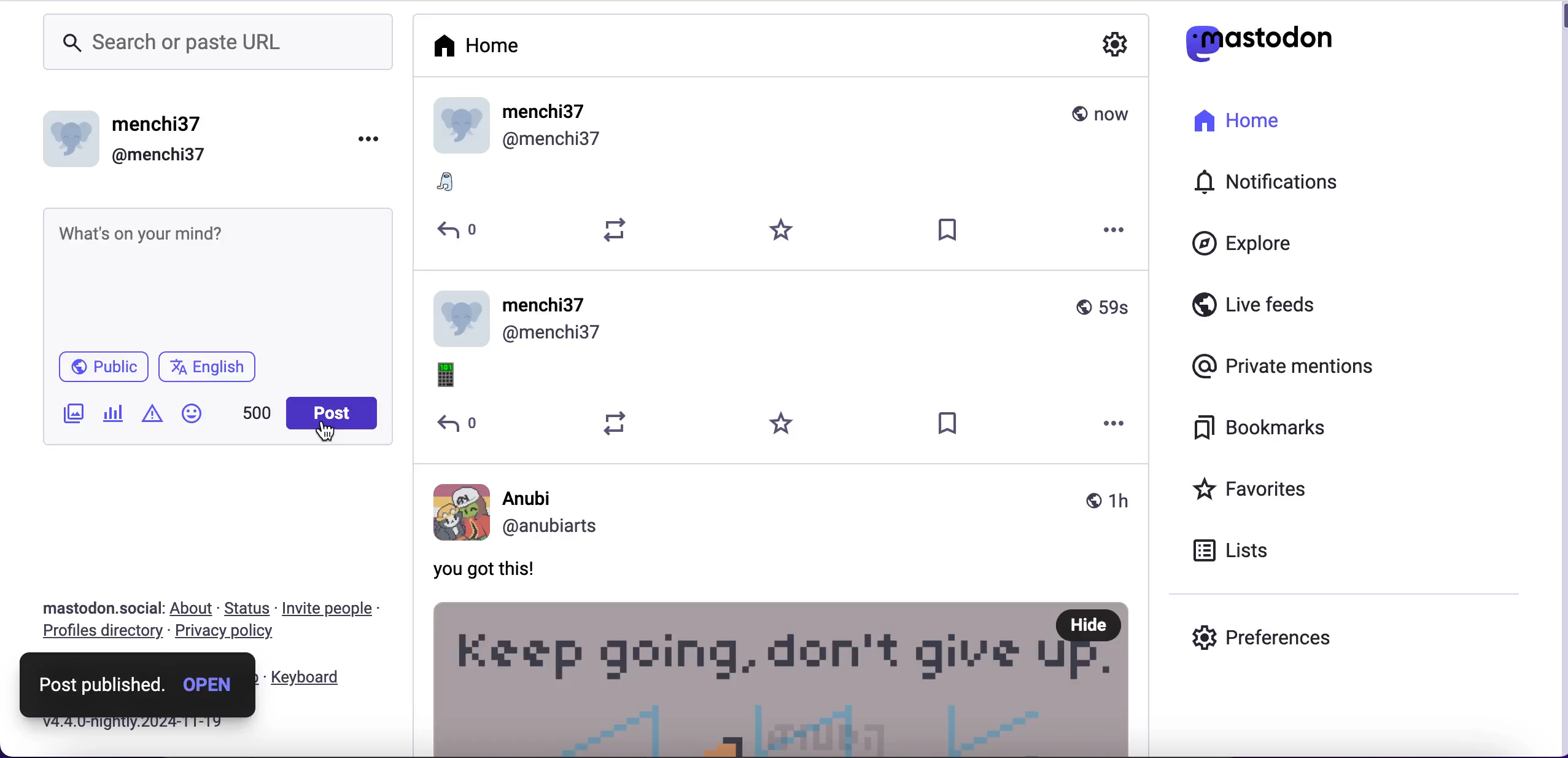  I want to click on save, so click(949, 423).